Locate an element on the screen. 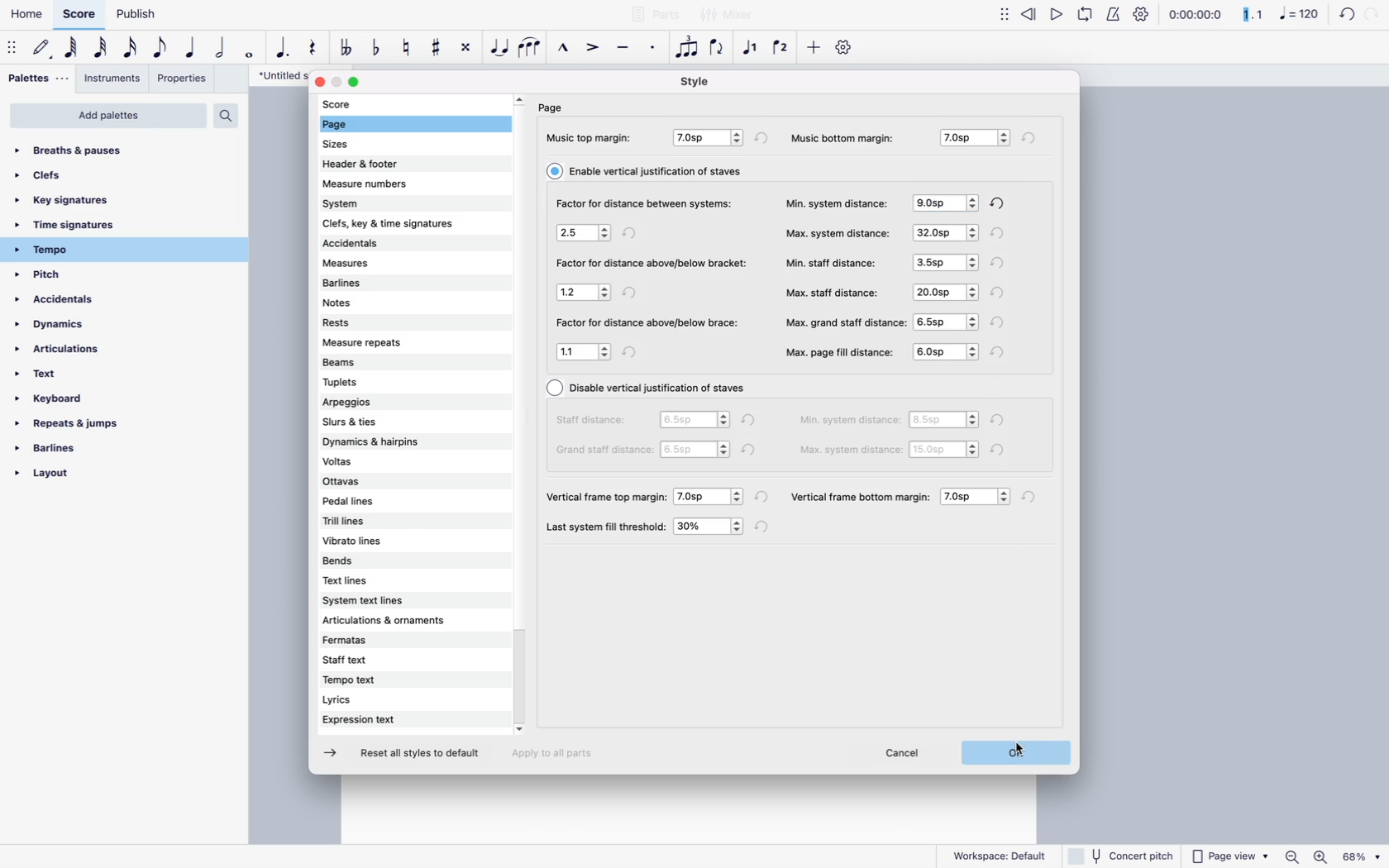 The width and height of the screenshot is (1389, 868). articulations is located at coordinates (68, 353).